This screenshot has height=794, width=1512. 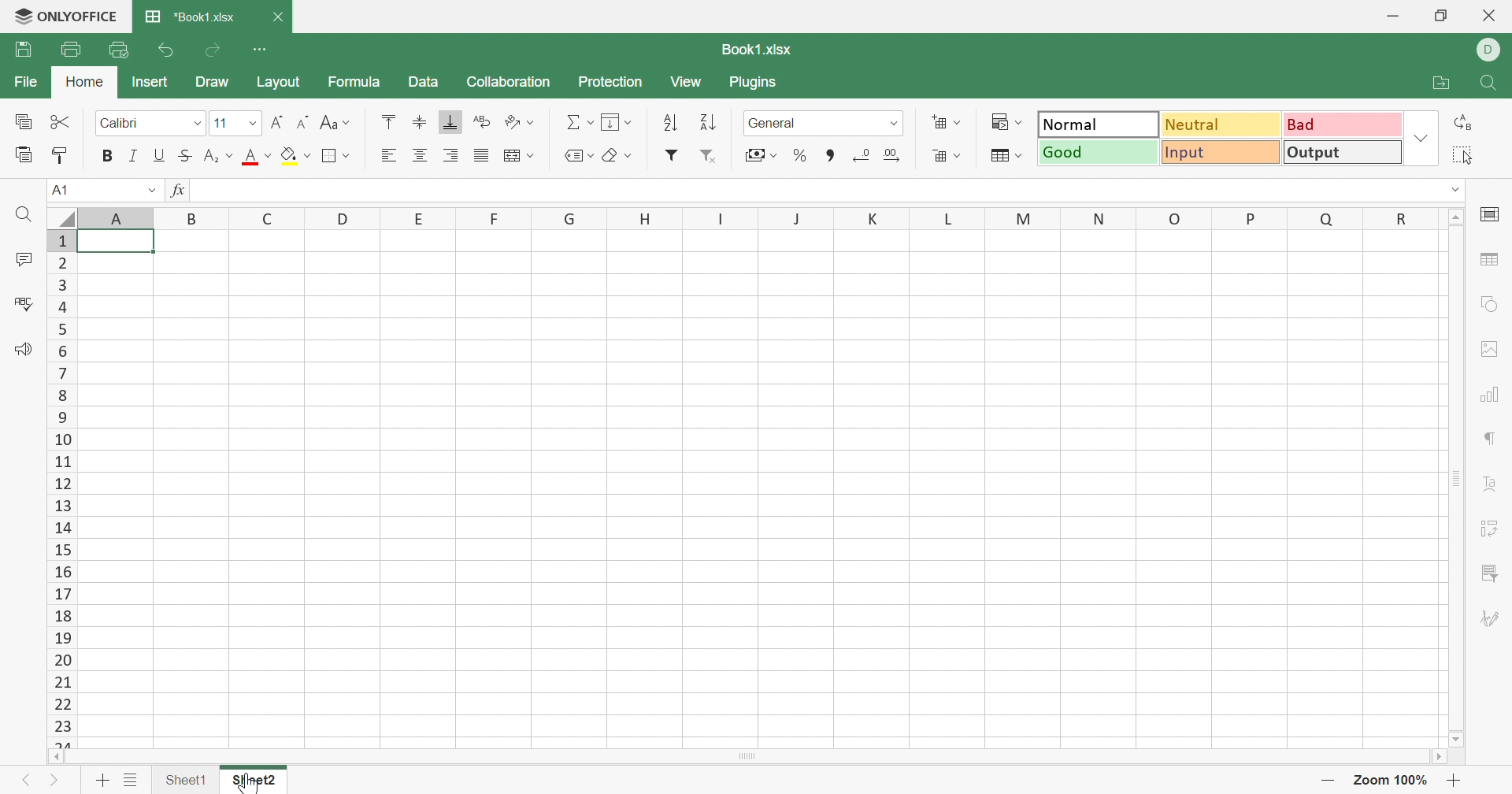 What do you see at coordinates (22, 153) in the screenshot?
I see `Paste` at bounding box center [22, 153].